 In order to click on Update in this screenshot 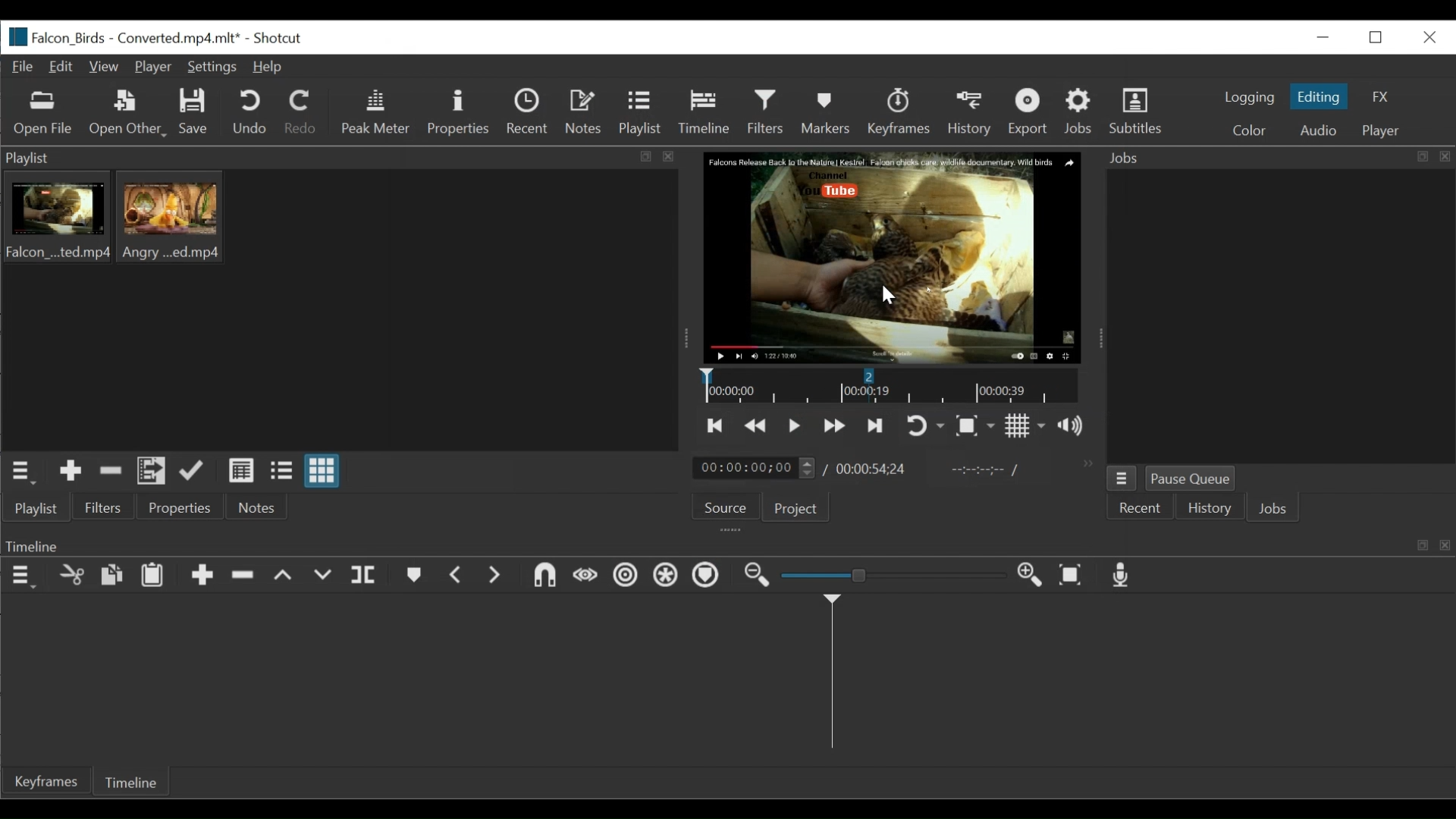, I will do `click(196, 472)`.